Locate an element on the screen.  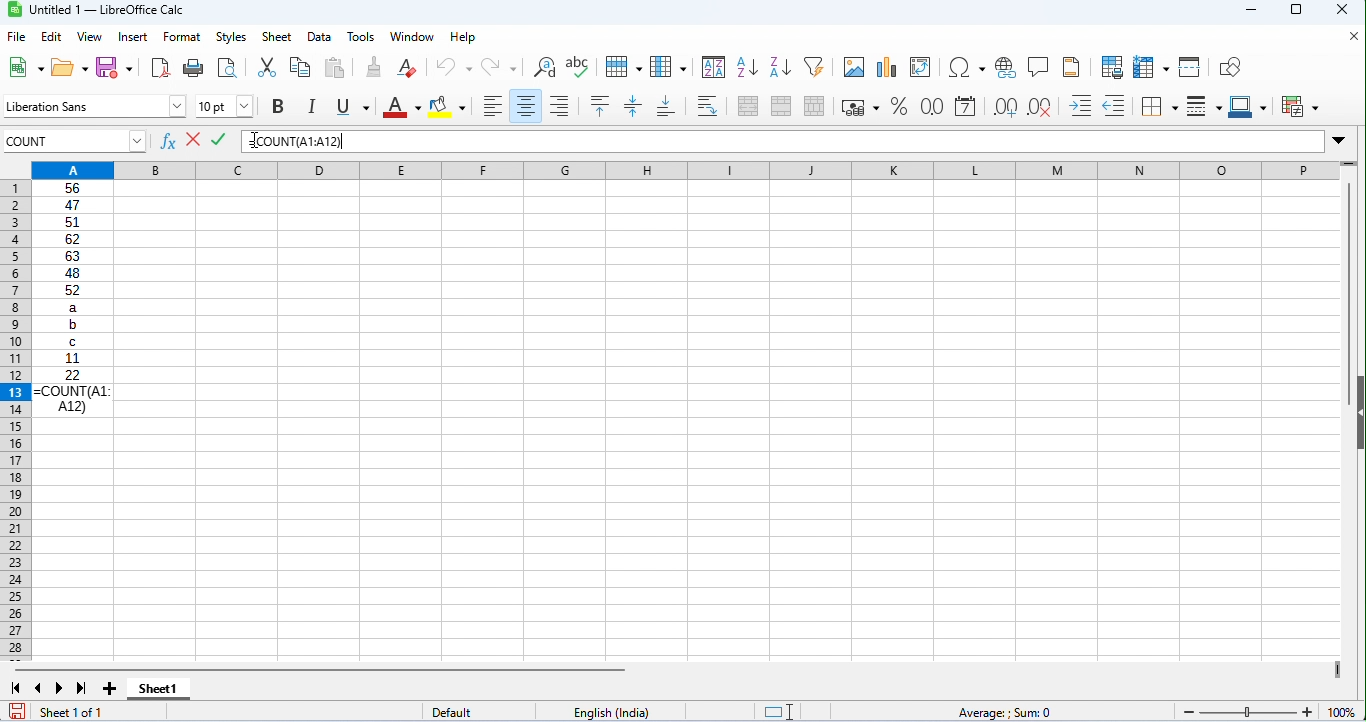
count is located at coordinates (27, 141).